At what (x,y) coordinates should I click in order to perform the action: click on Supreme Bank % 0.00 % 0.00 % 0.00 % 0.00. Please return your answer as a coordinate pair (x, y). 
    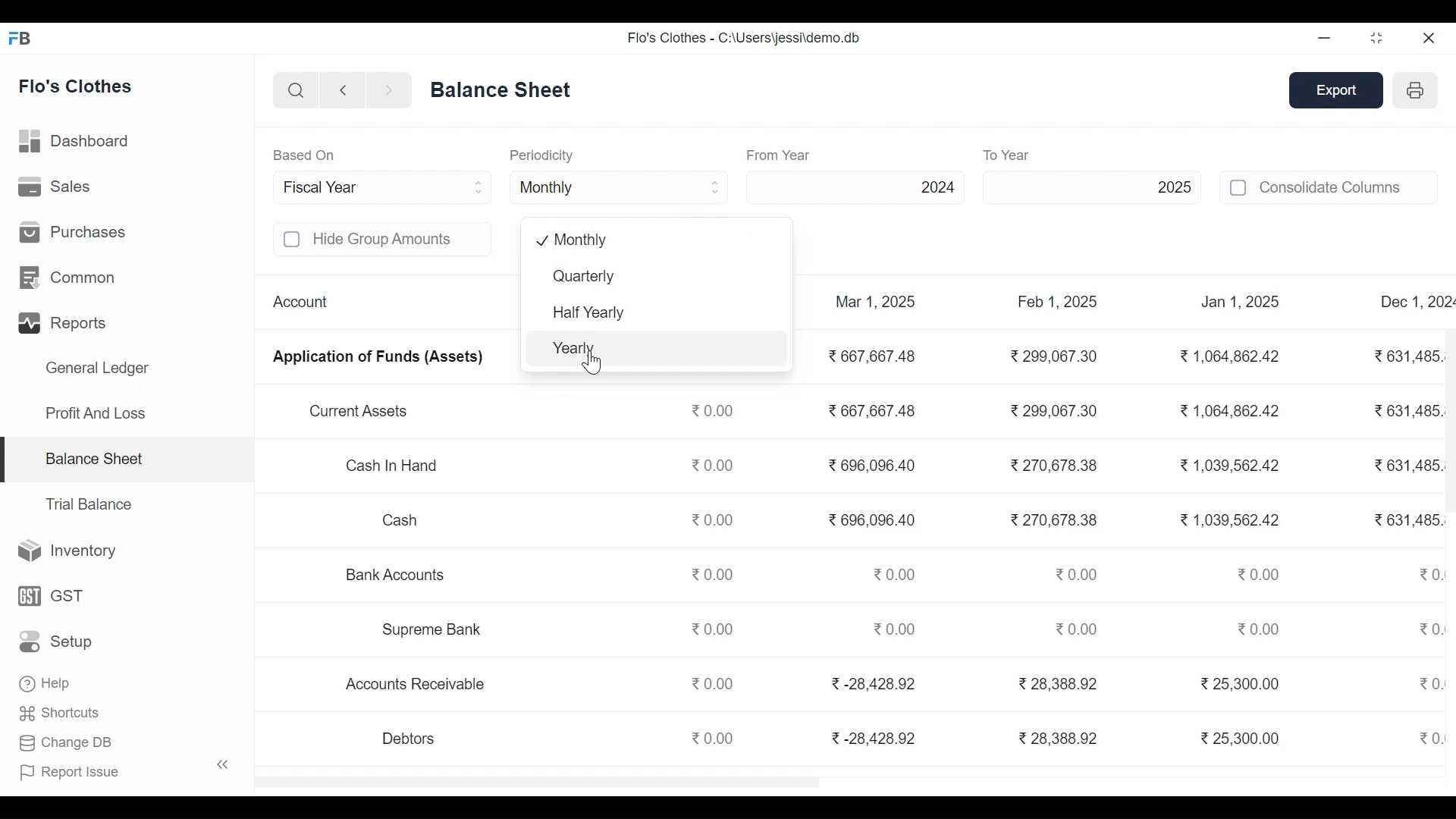
    Looking at the image, I should click on (849, 629).